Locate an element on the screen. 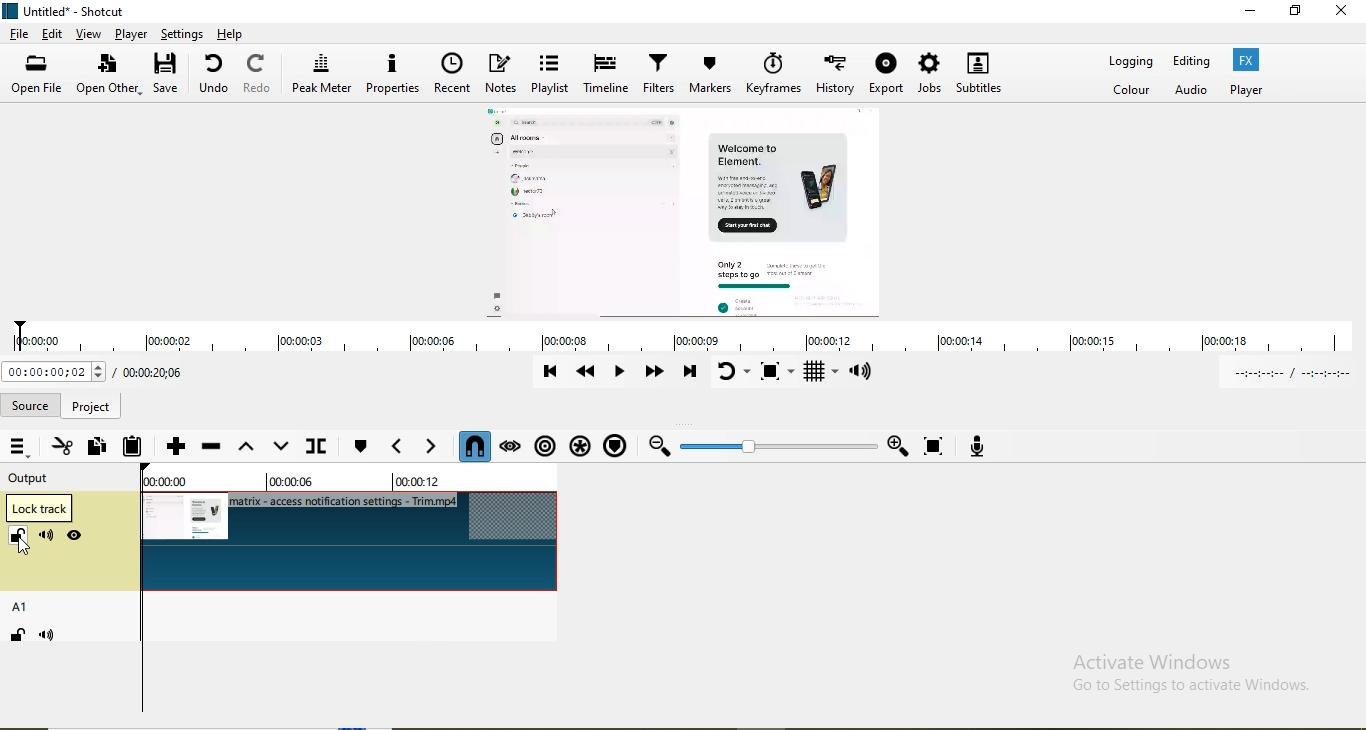 This screenshot has height=730, width=1366. Timelines is located at coordinates (606, 75).